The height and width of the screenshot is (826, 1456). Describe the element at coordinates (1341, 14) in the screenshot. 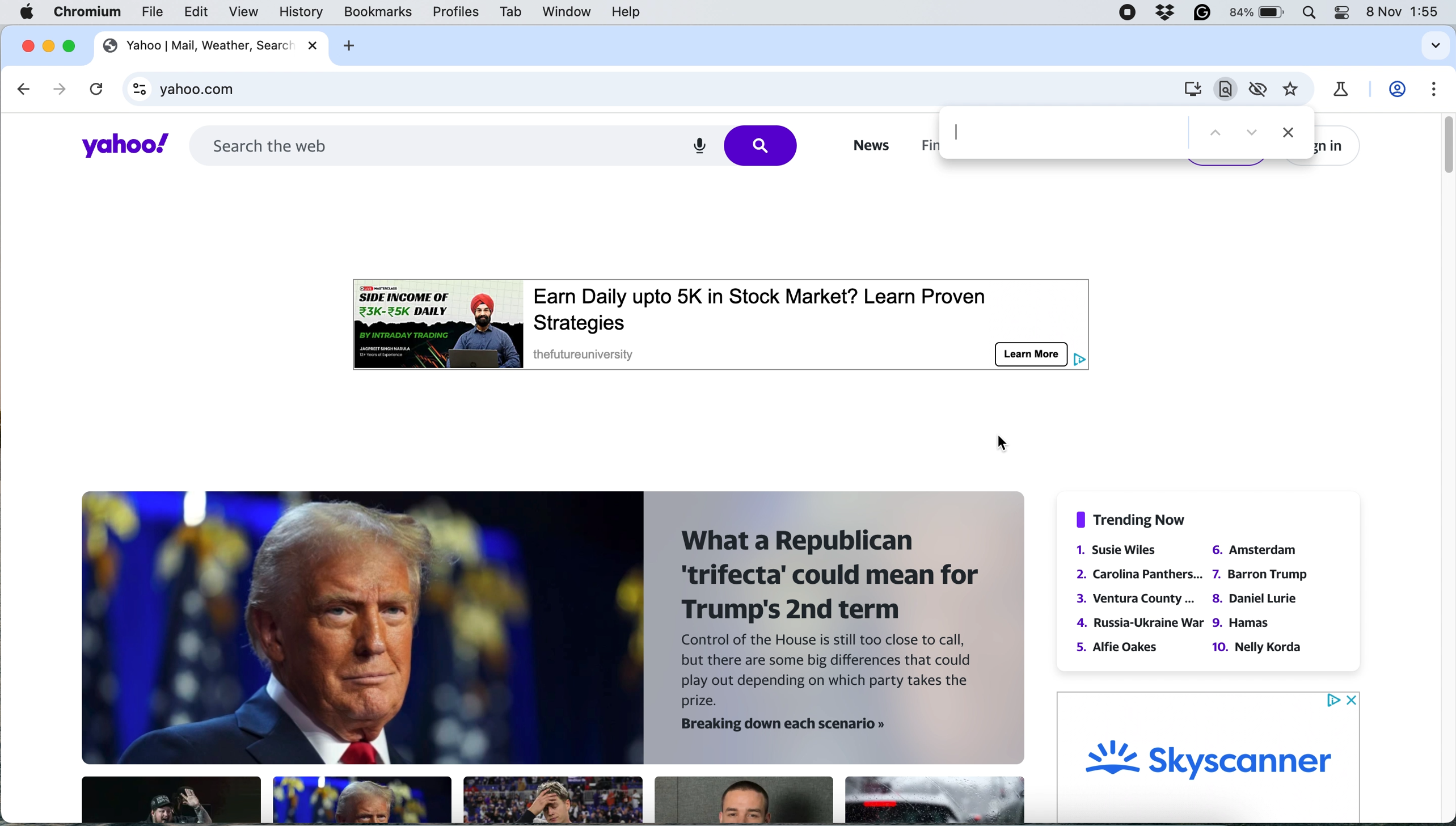

I see `control center` at that location.